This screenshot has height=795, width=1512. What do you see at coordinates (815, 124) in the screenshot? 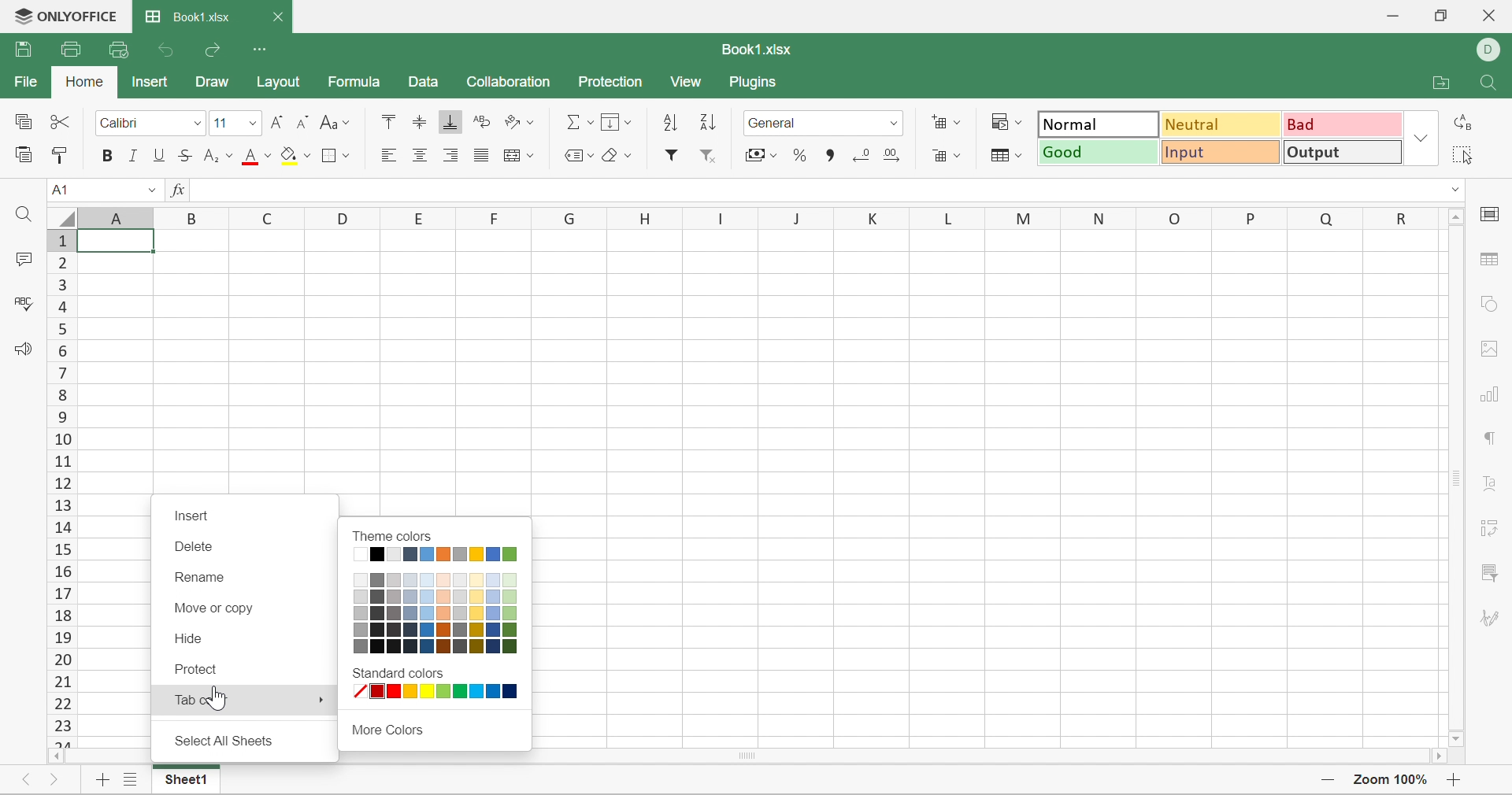
I see `General` at bounding box center [815, 124].